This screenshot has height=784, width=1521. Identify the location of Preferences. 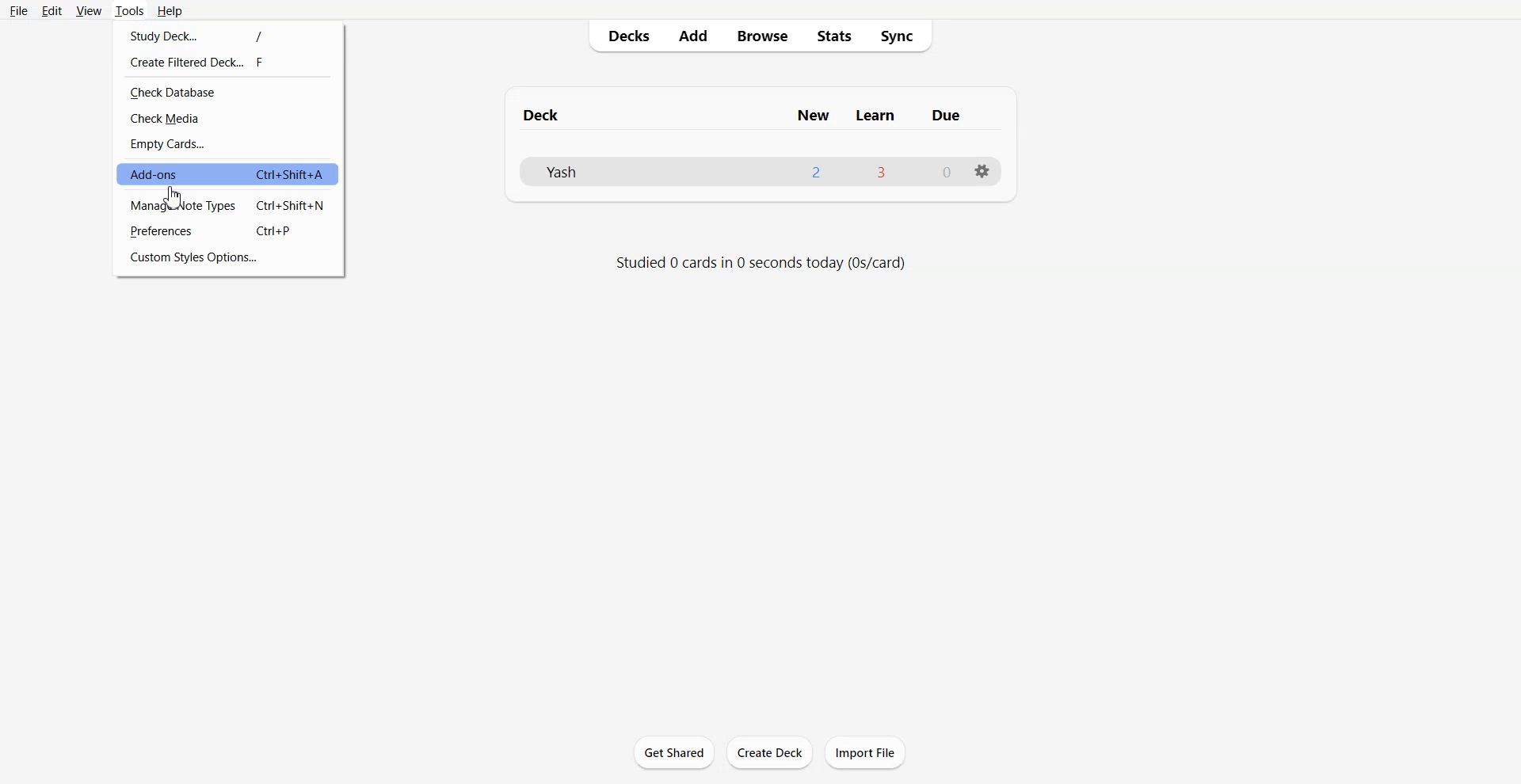
(228, 231).